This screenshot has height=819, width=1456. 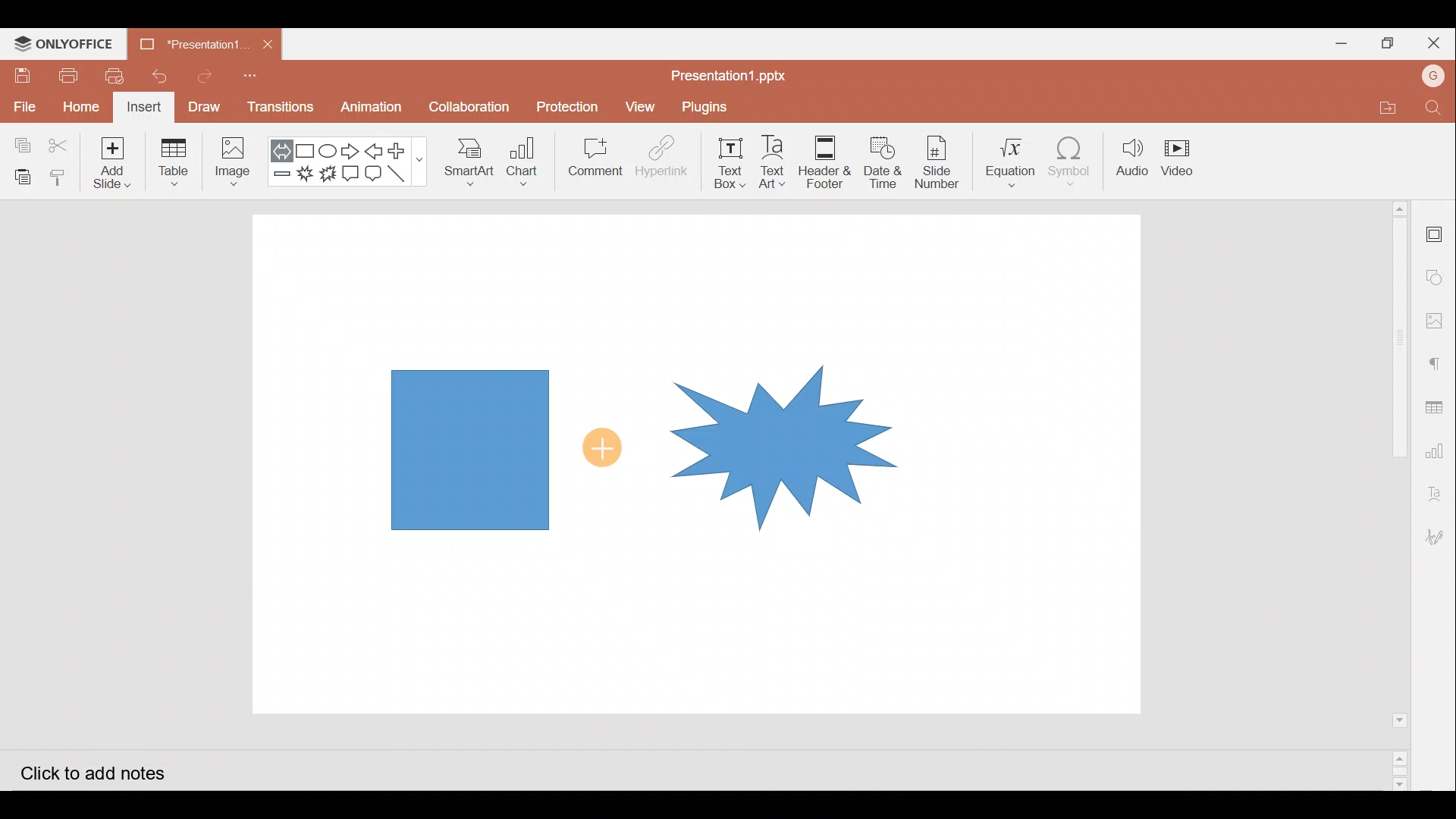 I want to click on Line, so click(x=401, y=172).